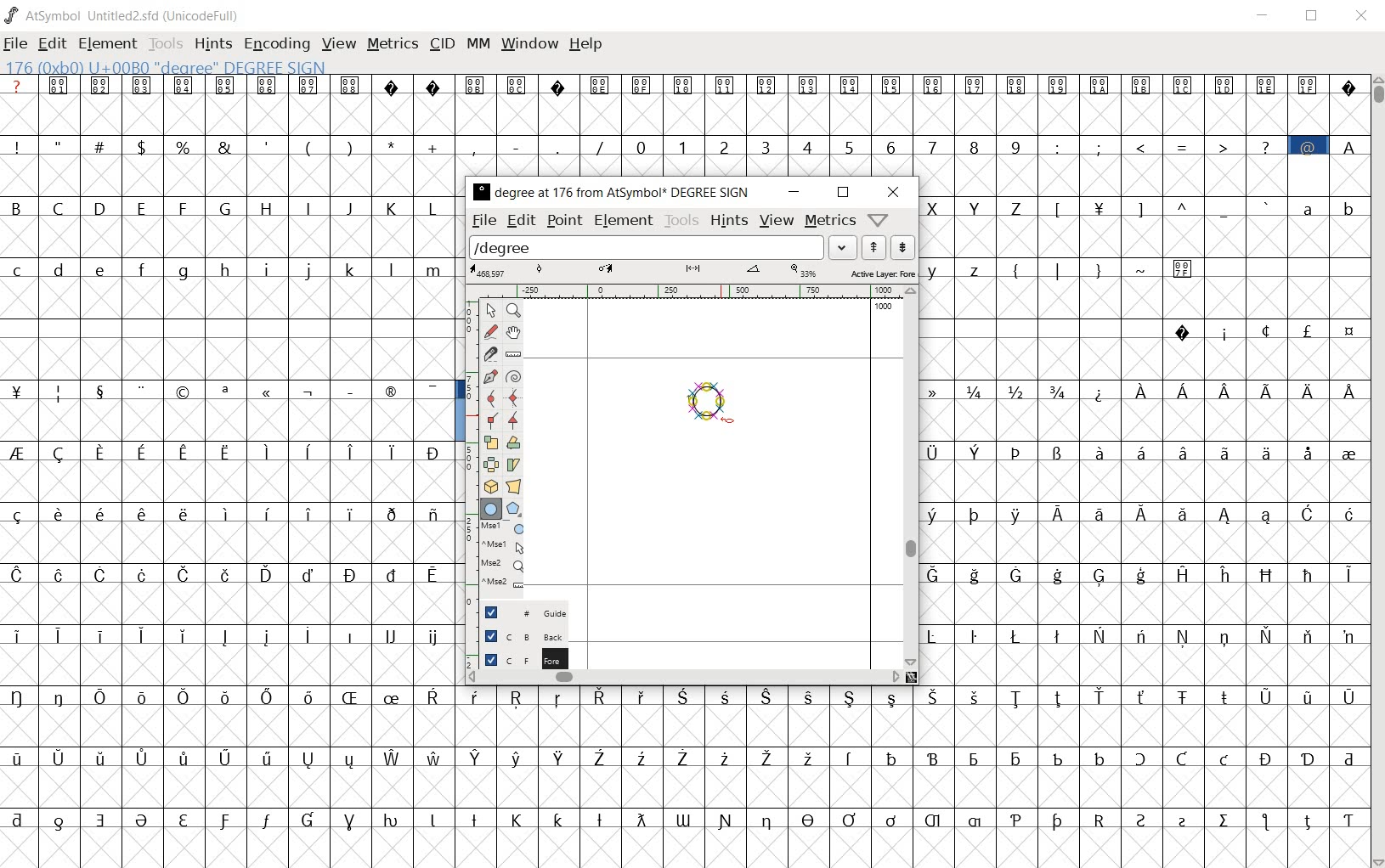 The width and height of the screenshot is (1385, 868). What do you see at coordinates (277, 43) in the screenshot?
I see `encoding` at bounding box center [277, 43].